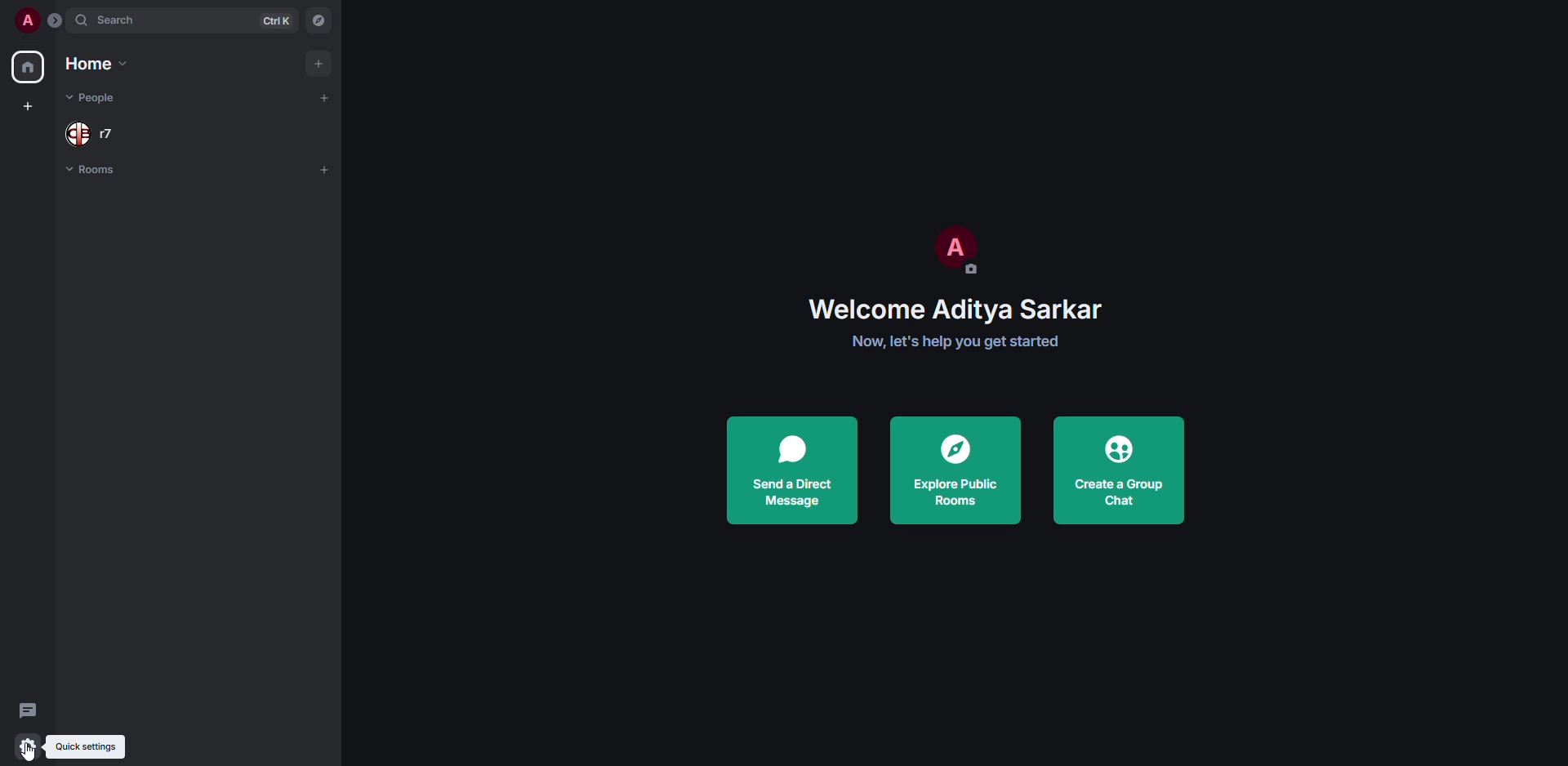 This screenshot has height=766, width=1568. Describe the element at coordinates (28, 108) in the screenshot. I see `create space` at that location.